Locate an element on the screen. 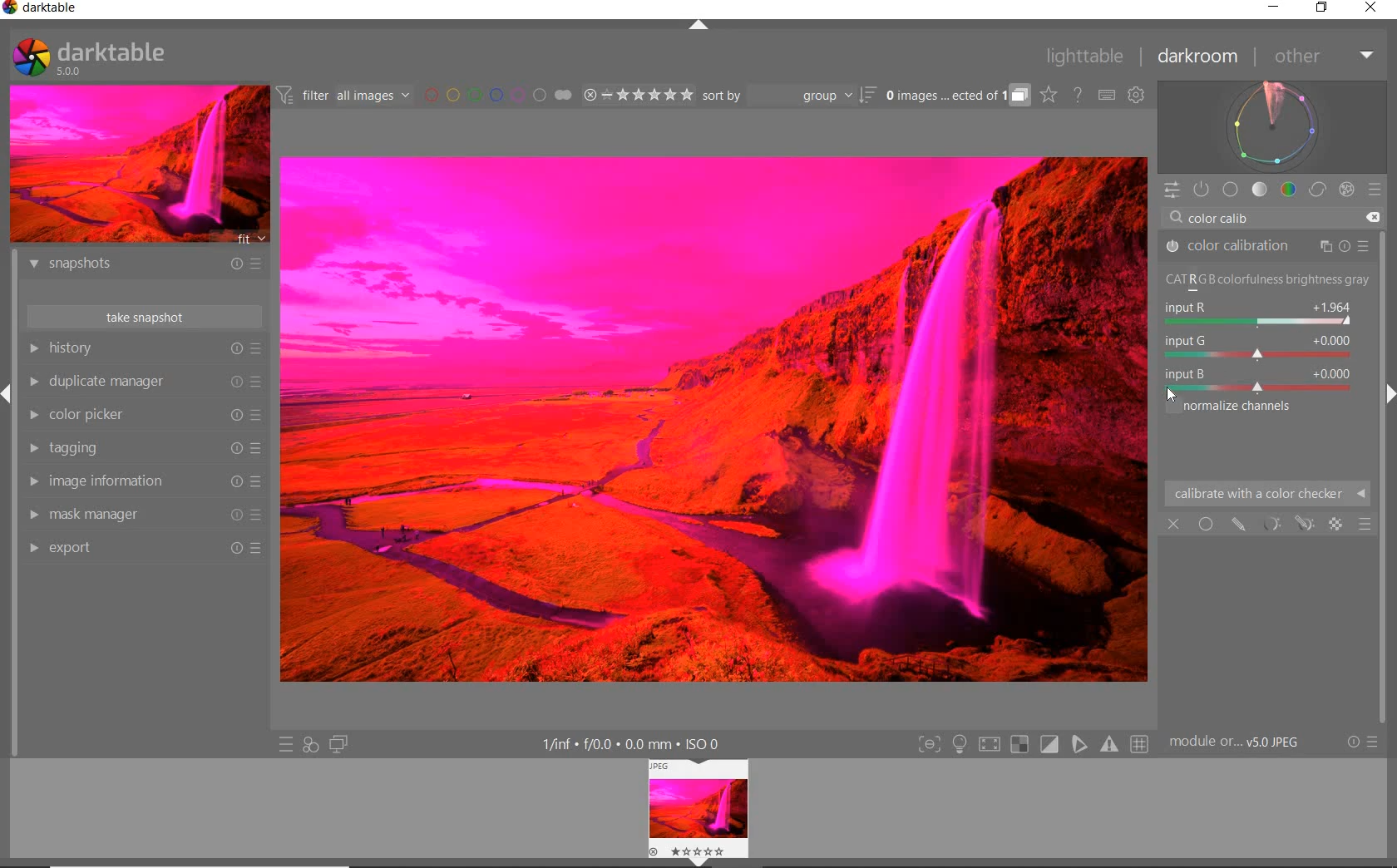  lighttable is located at coordinates (1089, 57).